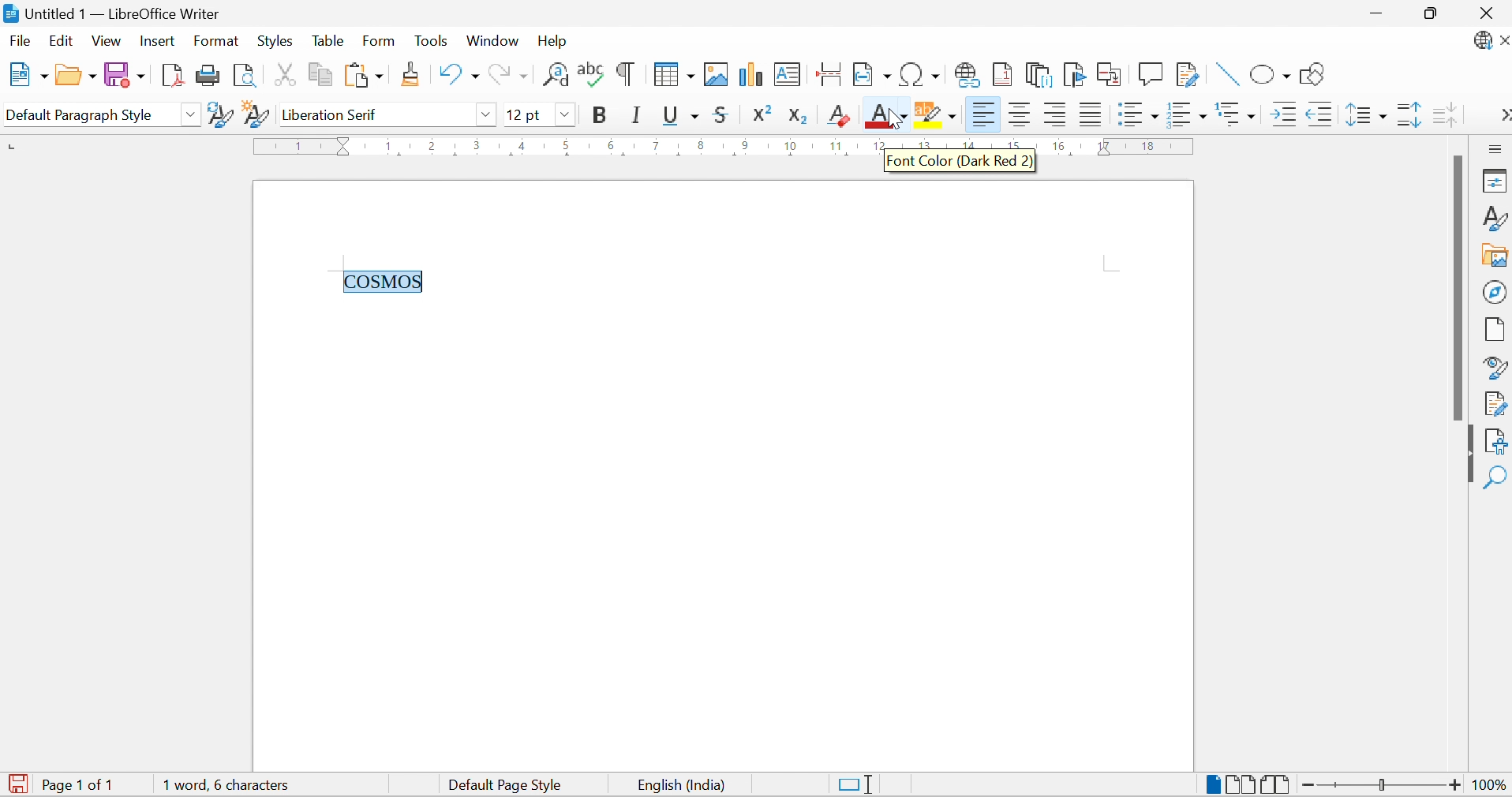  I want to click on Tools, so click(429, 39).